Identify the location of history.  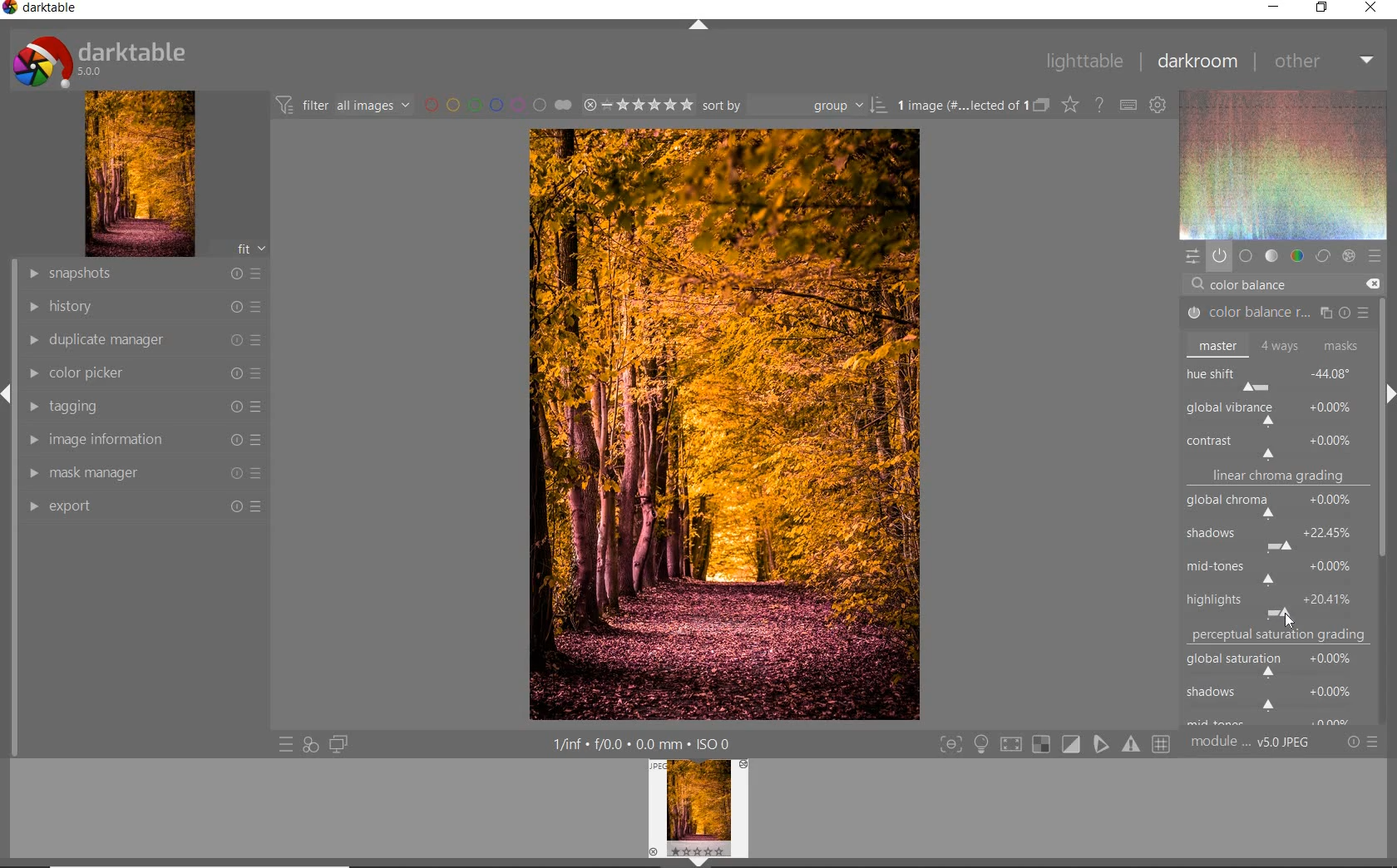
(144, 305).